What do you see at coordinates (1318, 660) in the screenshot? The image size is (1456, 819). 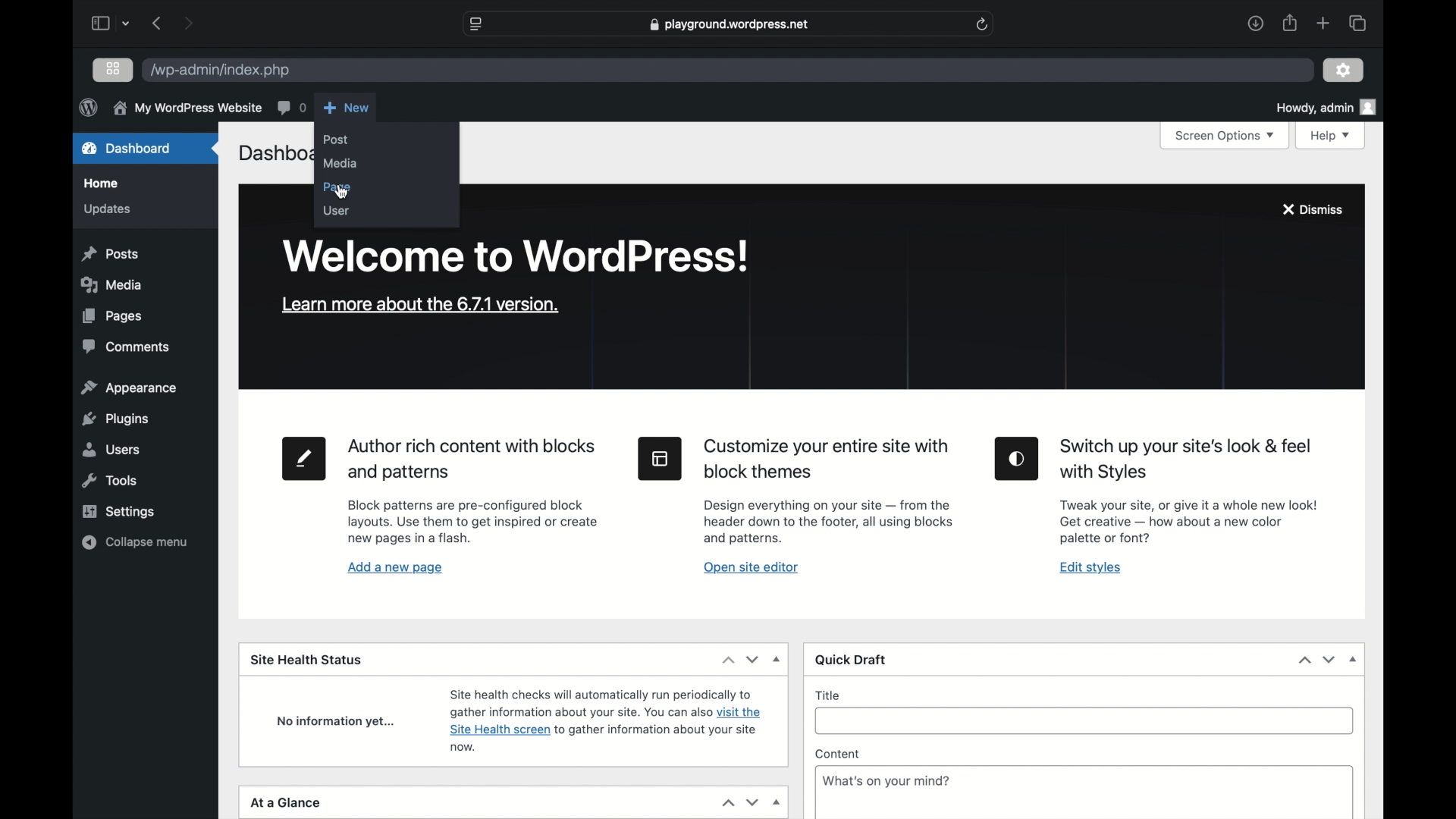 I see `stepper buttons` at bounding box center [1318, 660].